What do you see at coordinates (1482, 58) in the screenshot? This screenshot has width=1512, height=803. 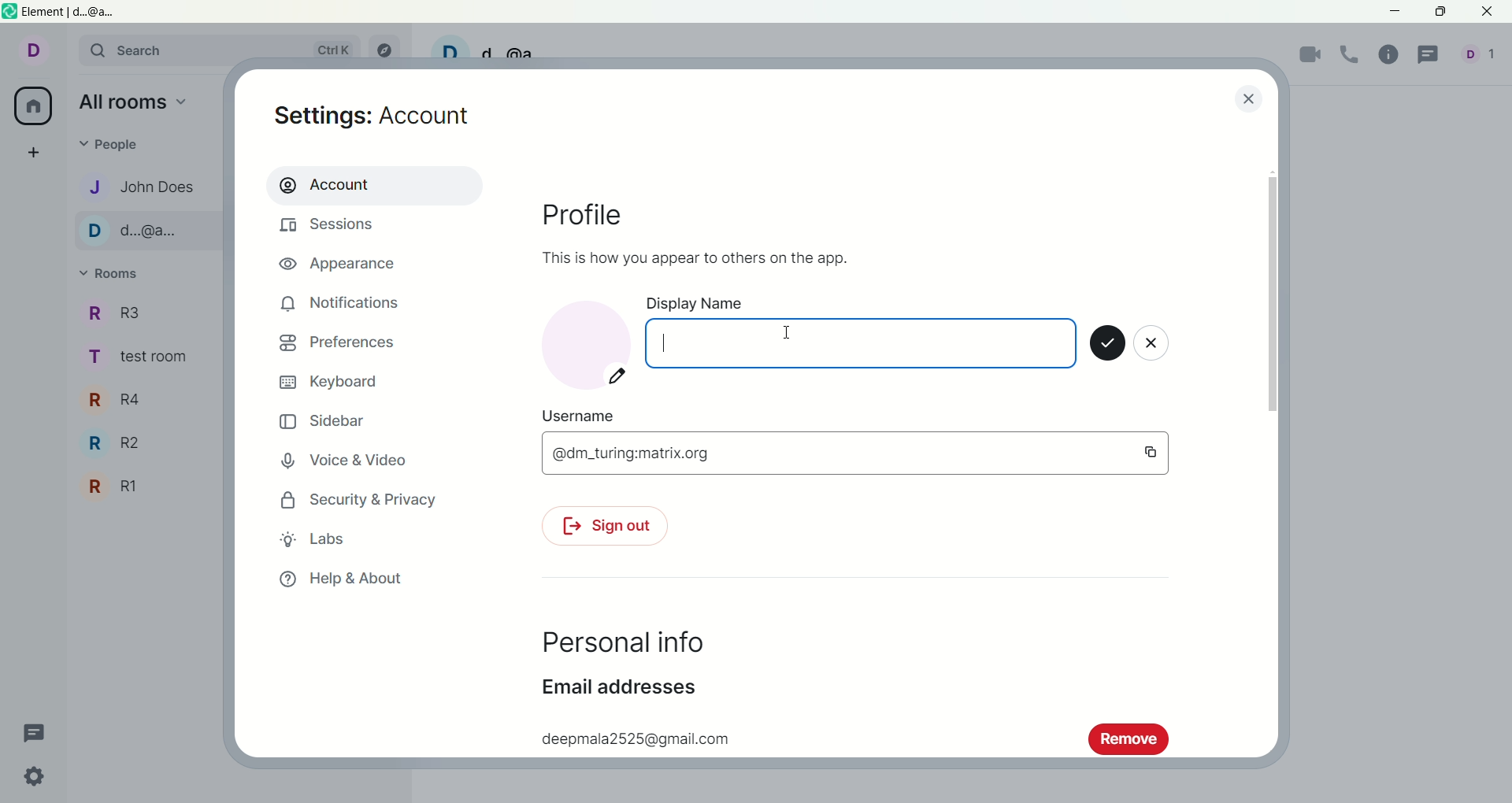 I see `people` at bounding box center [1482, 58].